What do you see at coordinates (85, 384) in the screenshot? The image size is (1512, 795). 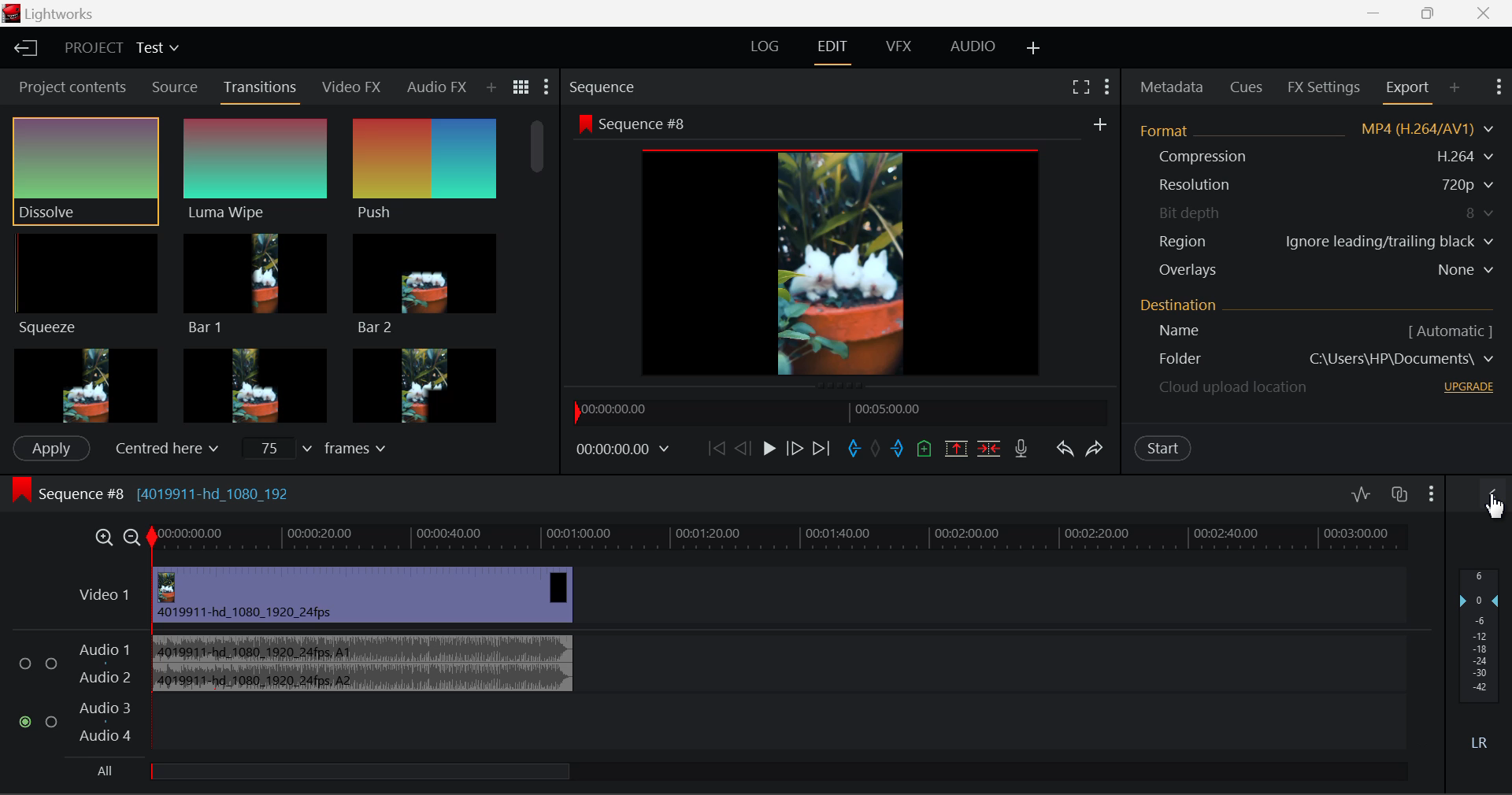 I see `Box 1` at bounding box center [85, 384].